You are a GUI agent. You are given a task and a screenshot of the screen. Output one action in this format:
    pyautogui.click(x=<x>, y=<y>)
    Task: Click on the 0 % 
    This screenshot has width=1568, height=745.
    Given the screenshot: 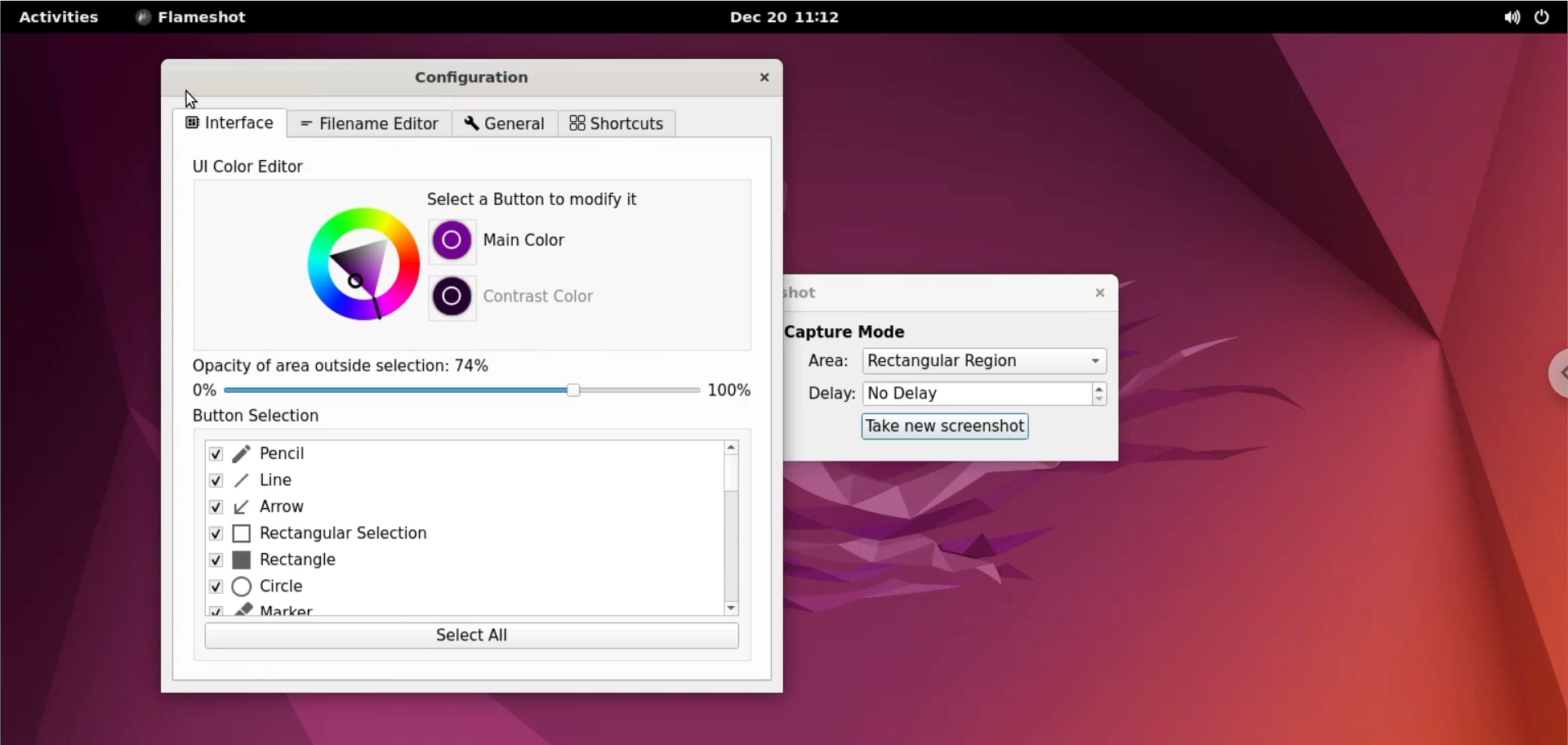 What is the action you would take?
    pyautogui.click(x=200, y=392)
    